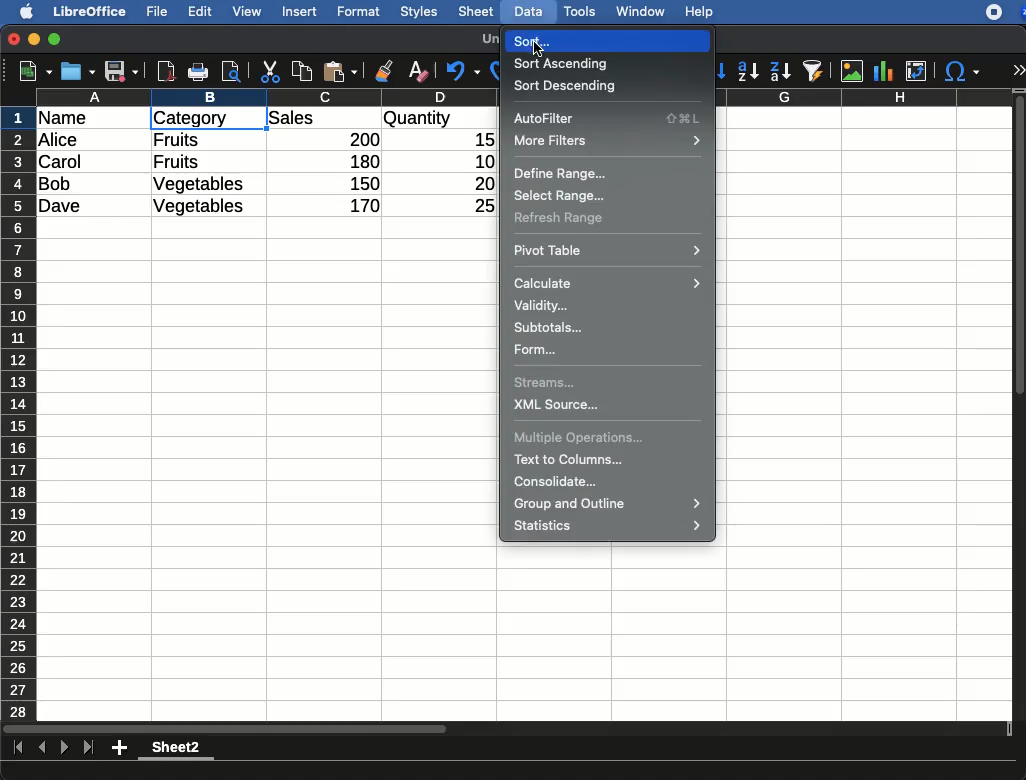 The height and width of the screenshot is (780, 1026). Describe the element at coordinates (552, 327) in the screenshot. I see `subtotals ` at that location.